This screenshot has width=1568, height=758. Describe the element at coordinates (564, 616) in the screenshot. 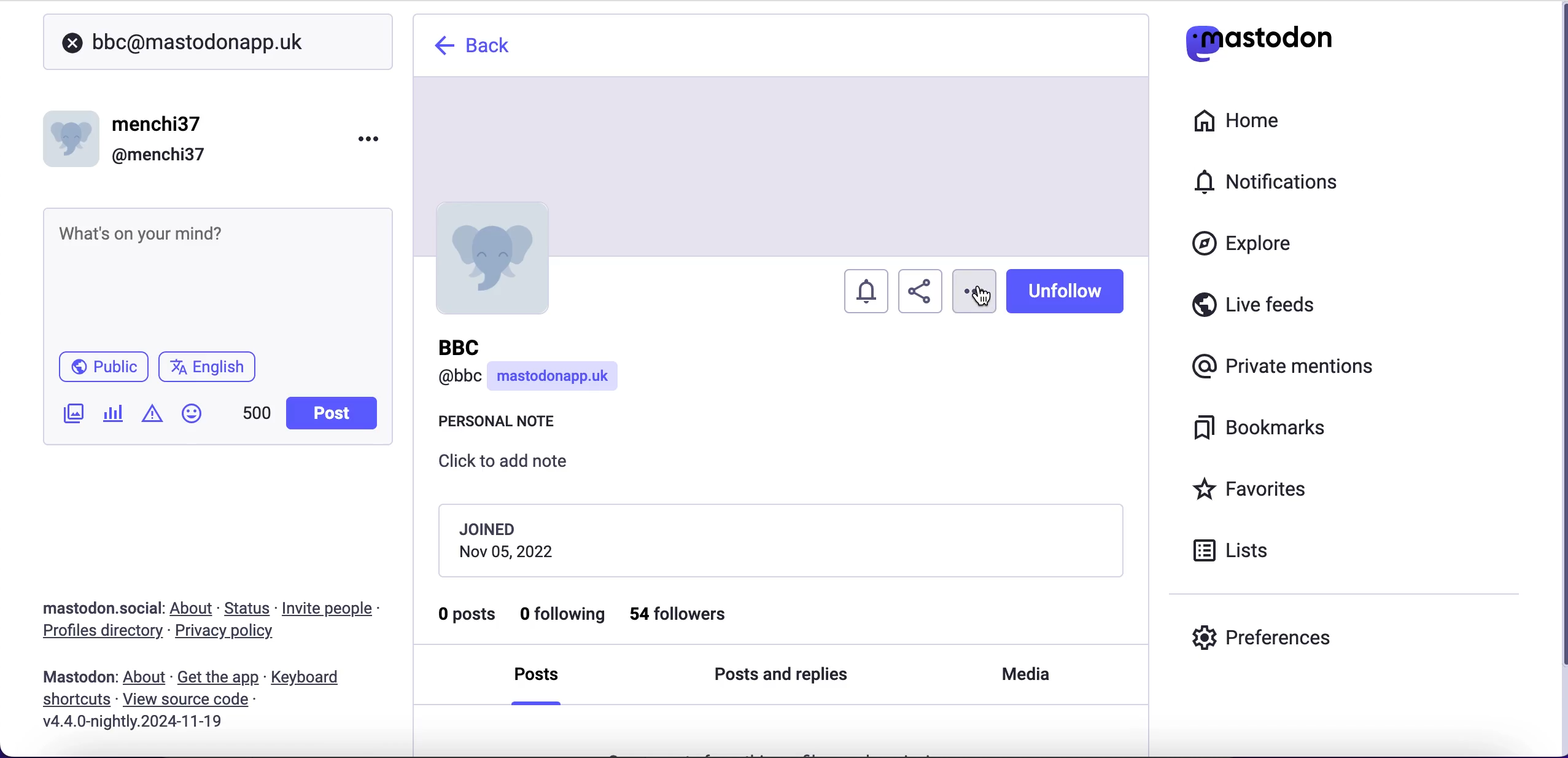

I see `0 following` at that location.